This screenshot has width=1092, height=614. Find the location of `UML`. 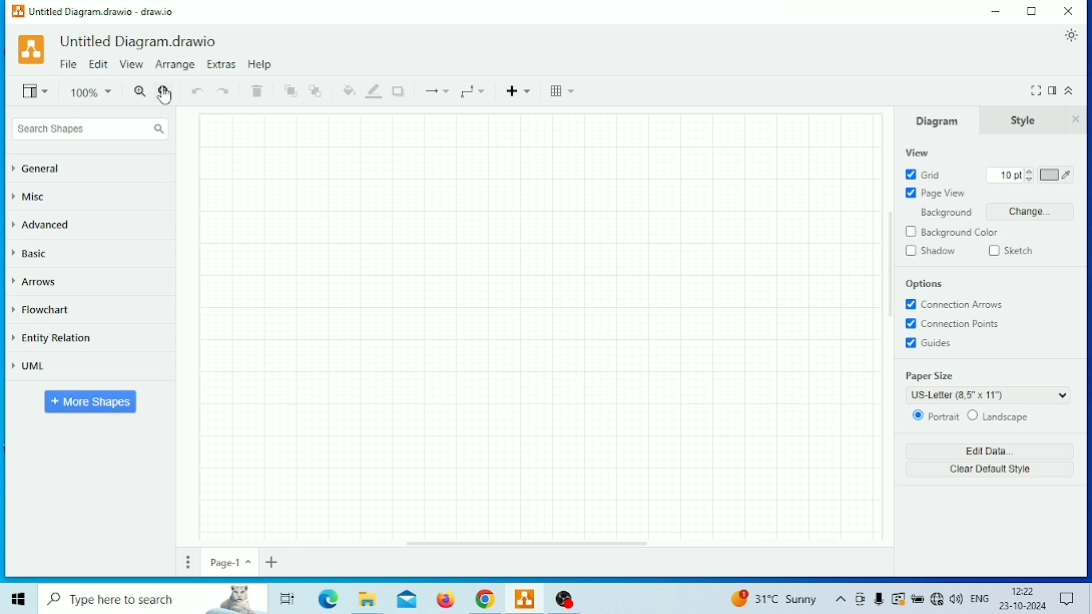

UML is located at coordinates (30, 365).